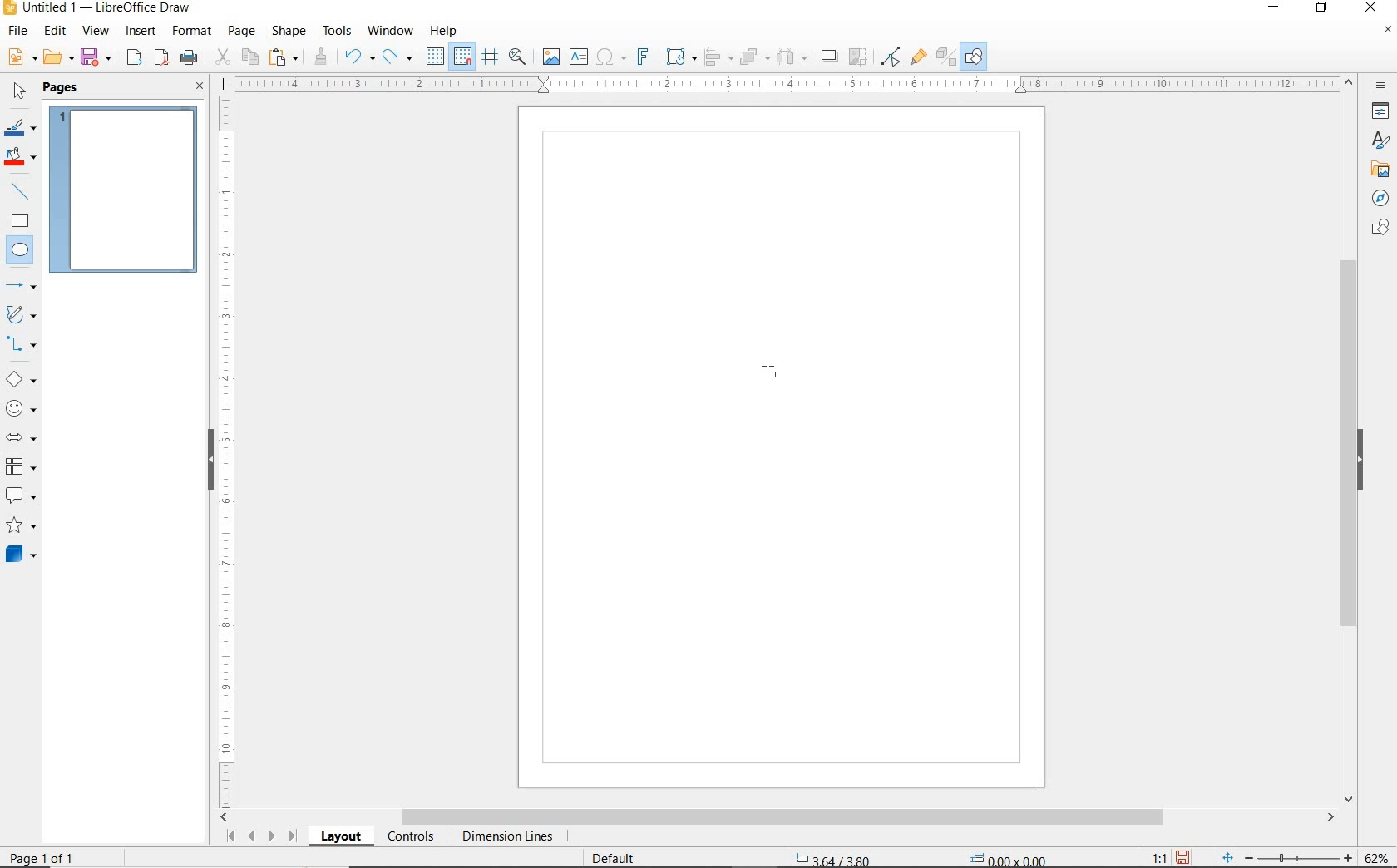 This screenshot has height=868, width=1397. Describe the element at coordinates (918, 57) in the screenshot. I see `SHOW GLUEPOINT FUNCTIONS` at that location.